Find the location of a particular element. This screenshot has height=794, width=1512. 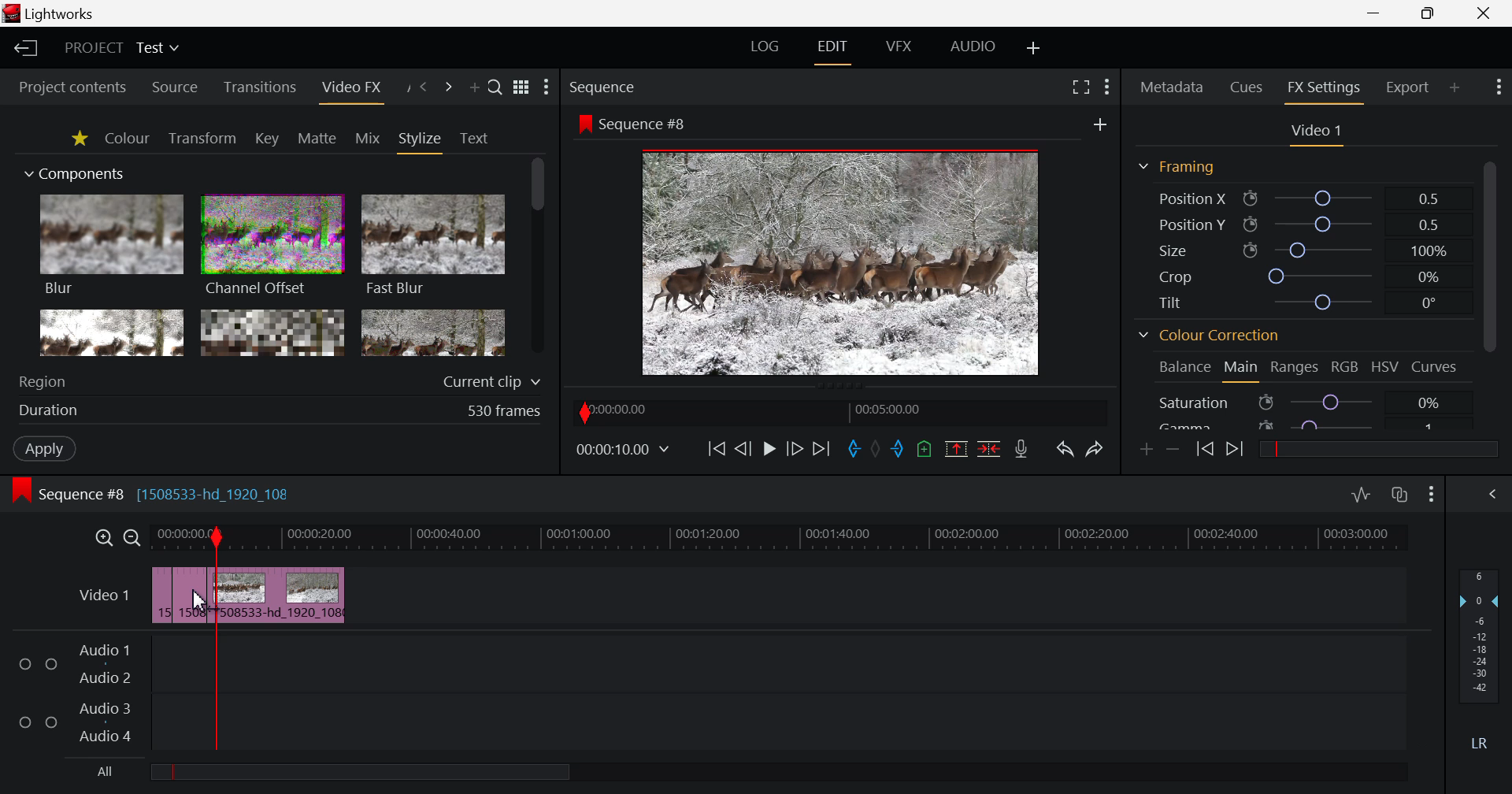

Channel Offset is located at coordinates (272, 247).